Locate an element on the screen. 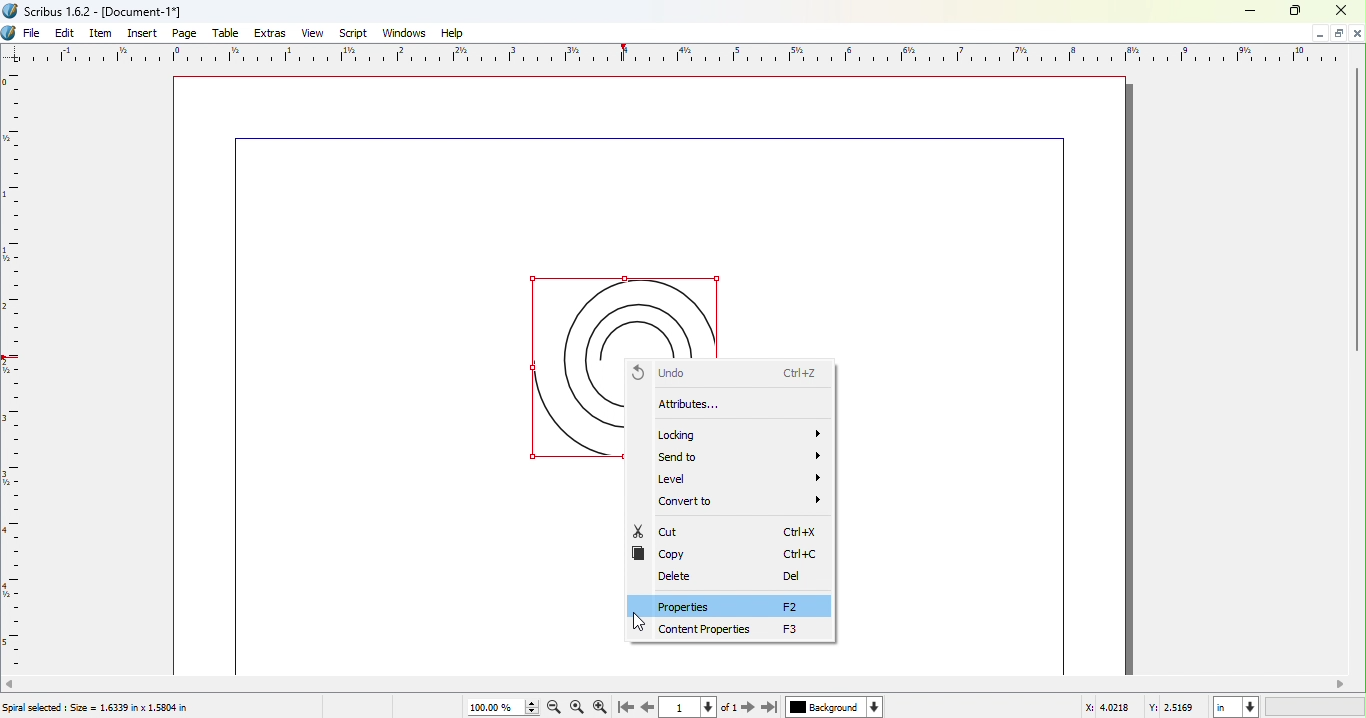 This screenshot has height=718, width=1366. Content properties is located at coordinates (742, 631).